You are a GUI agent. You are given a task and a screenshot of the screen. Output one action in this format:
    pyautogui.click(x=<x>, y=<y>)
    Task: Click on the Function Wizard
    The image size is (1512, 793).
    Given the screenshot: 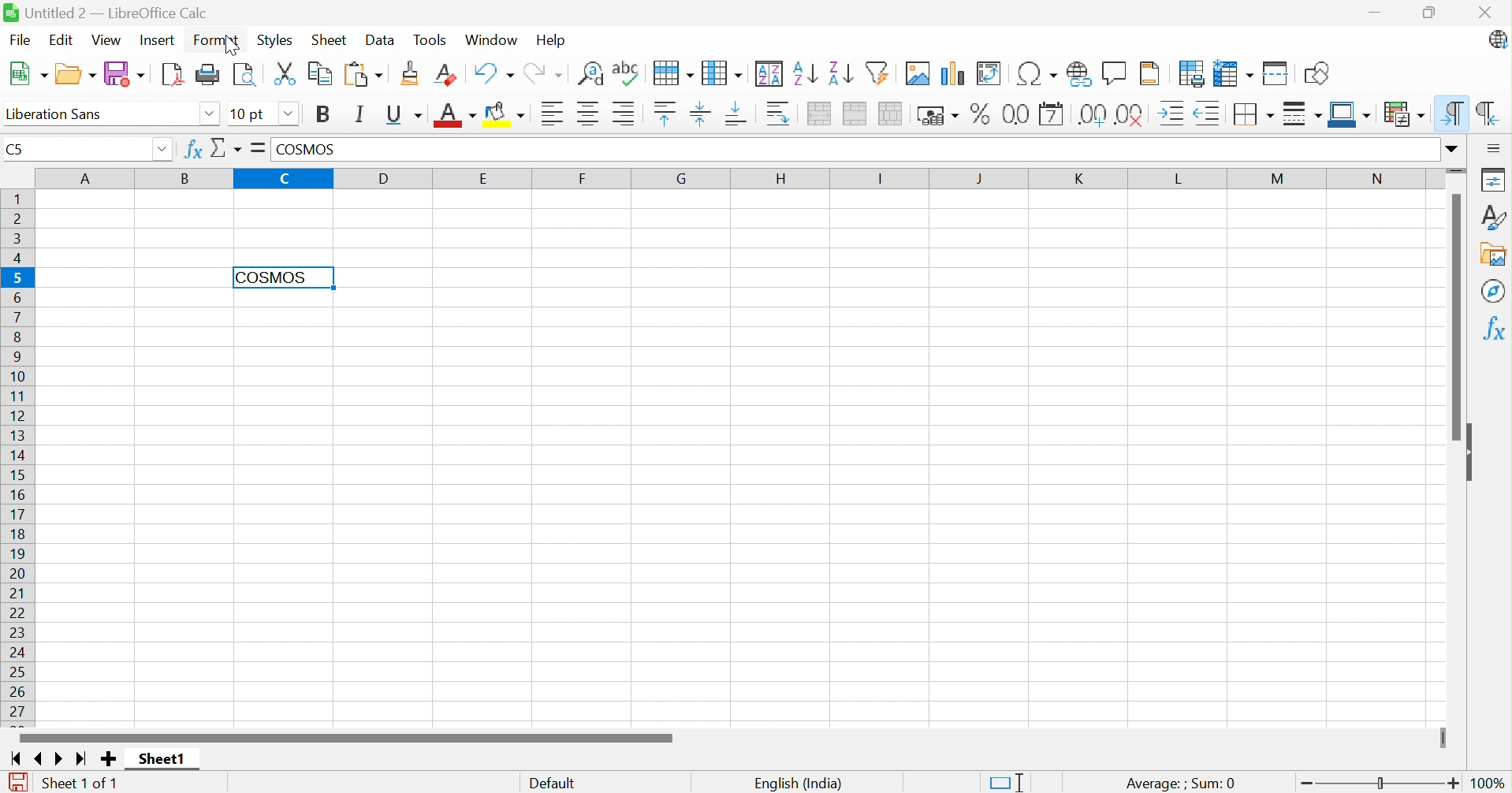 What is the action you would take?
    pyautogui.click(x=192, y=148)
    